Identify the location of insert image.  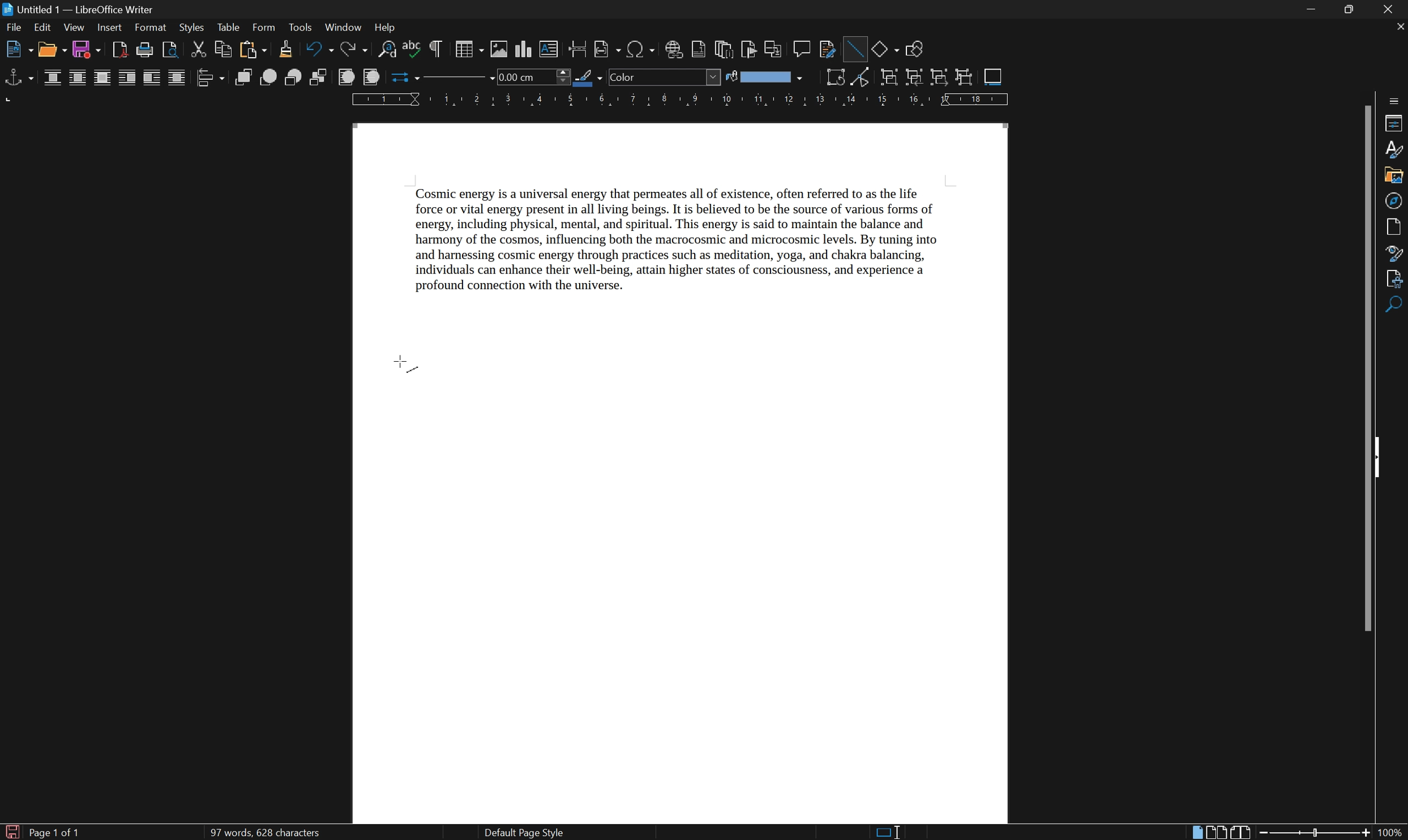
(500, 49).